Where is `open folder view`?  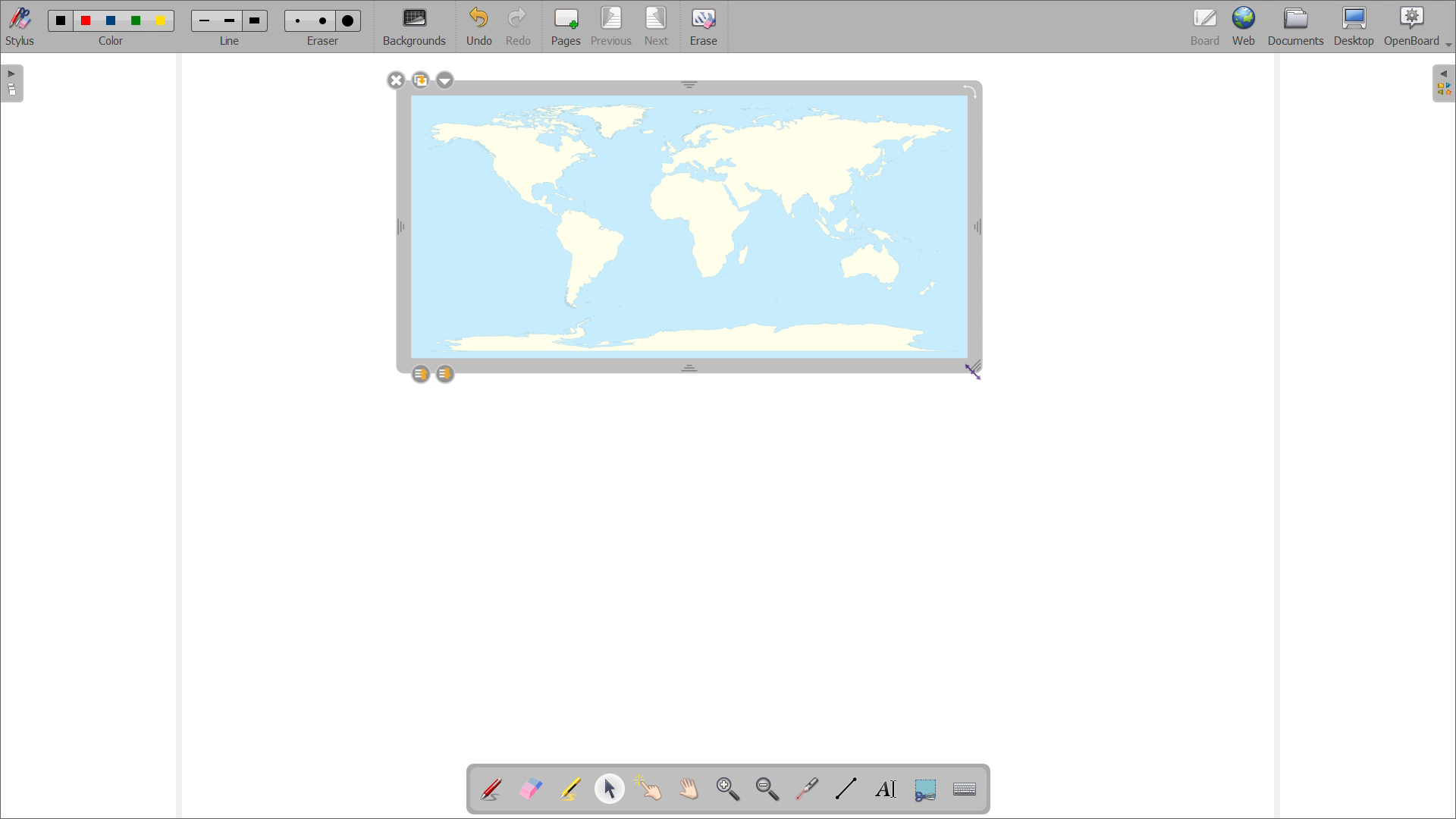
open folder view is located at coordinates (1444, 83).